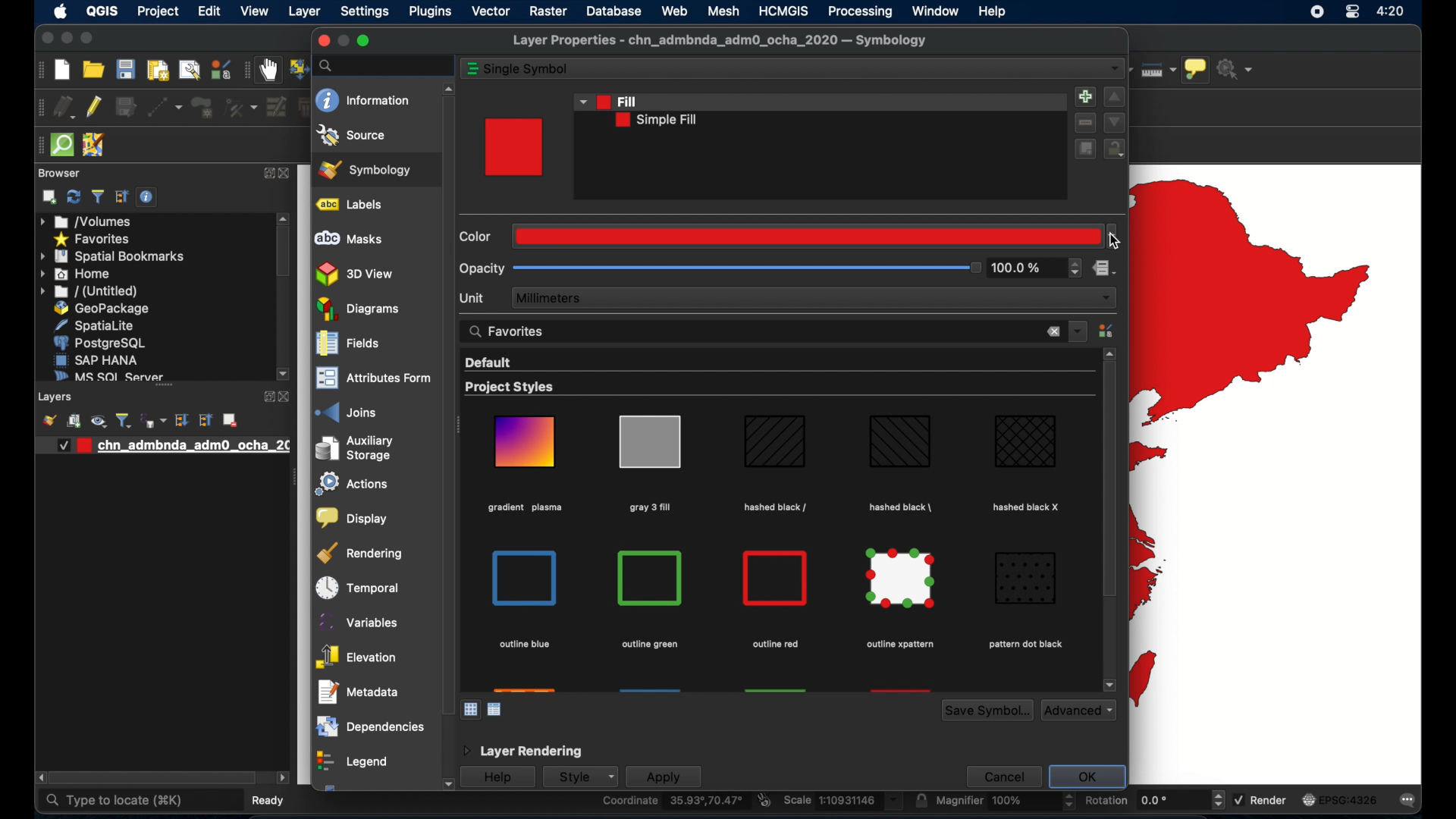  Describe the element at coordinates (284, 217) in the screenshot. I see `scroll up arrow` at that location.